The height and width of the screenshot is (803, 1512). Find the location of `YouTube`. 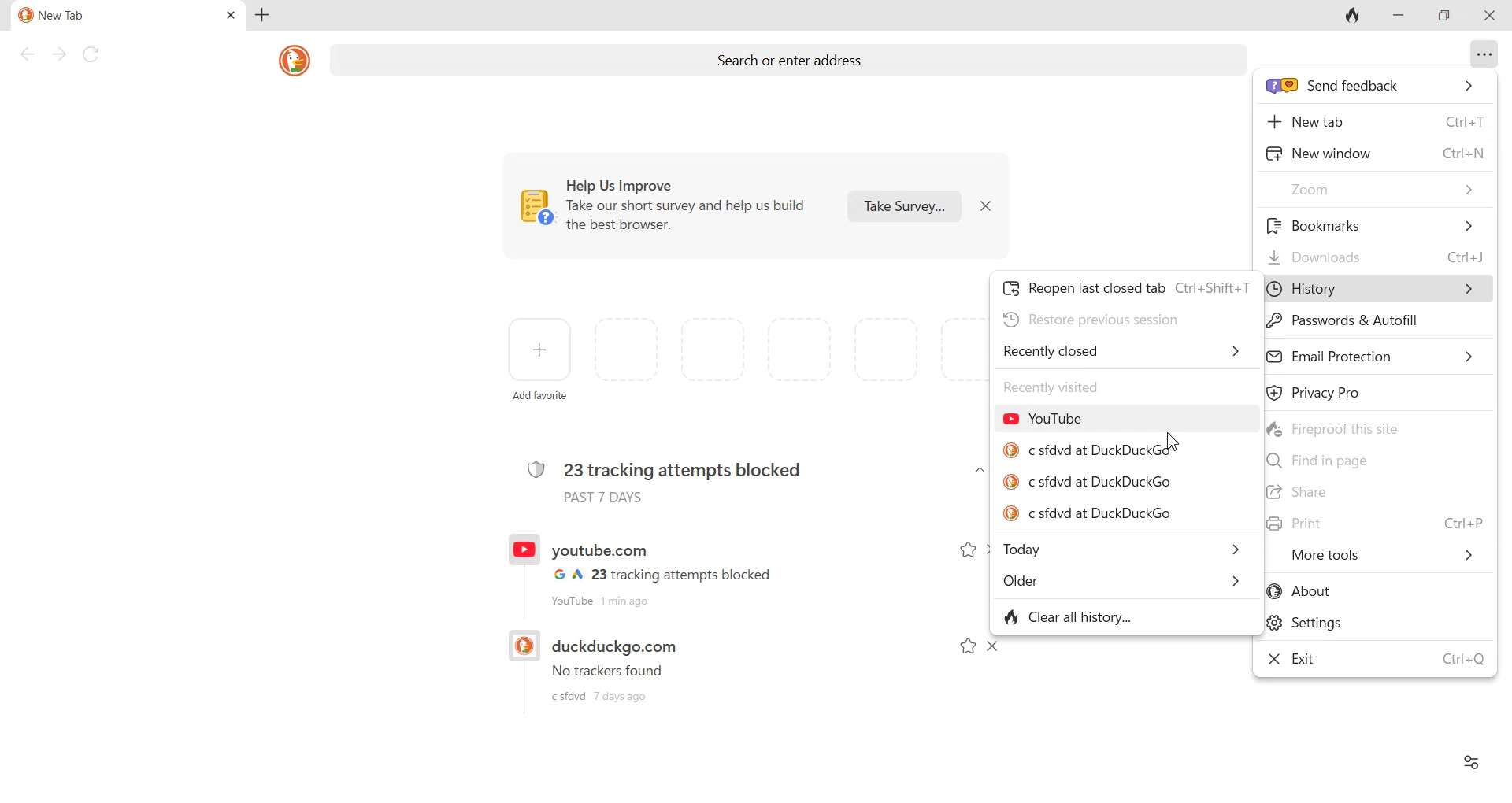

YouTube is located at coordinates (1044, 418).